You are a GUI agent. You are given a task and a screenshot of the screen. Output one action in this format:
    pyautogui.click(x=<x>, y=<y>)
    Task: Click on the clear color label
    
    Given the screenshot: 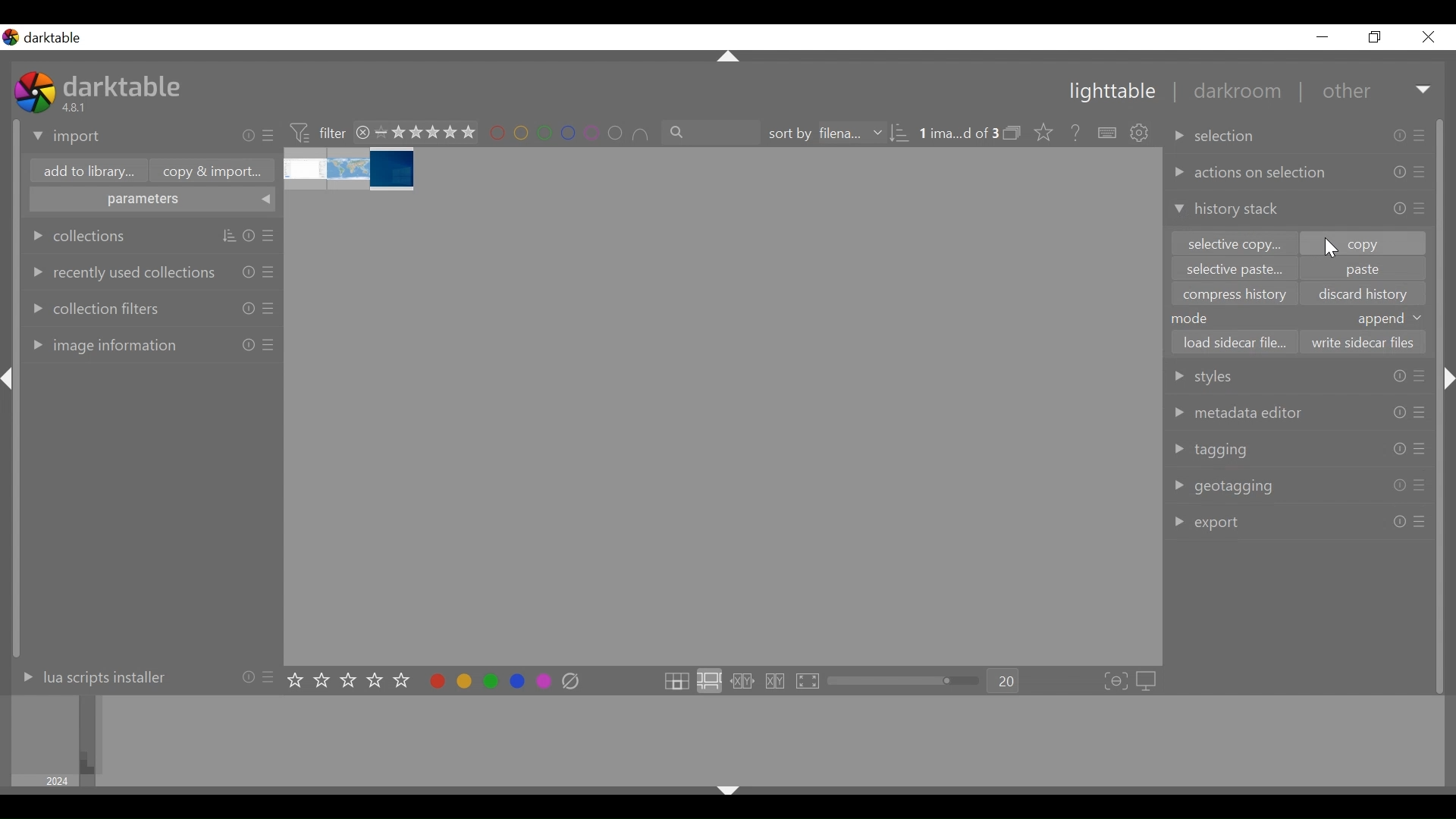 What is the action you would take?
    pyautogui.click(x=575, y=682)
    